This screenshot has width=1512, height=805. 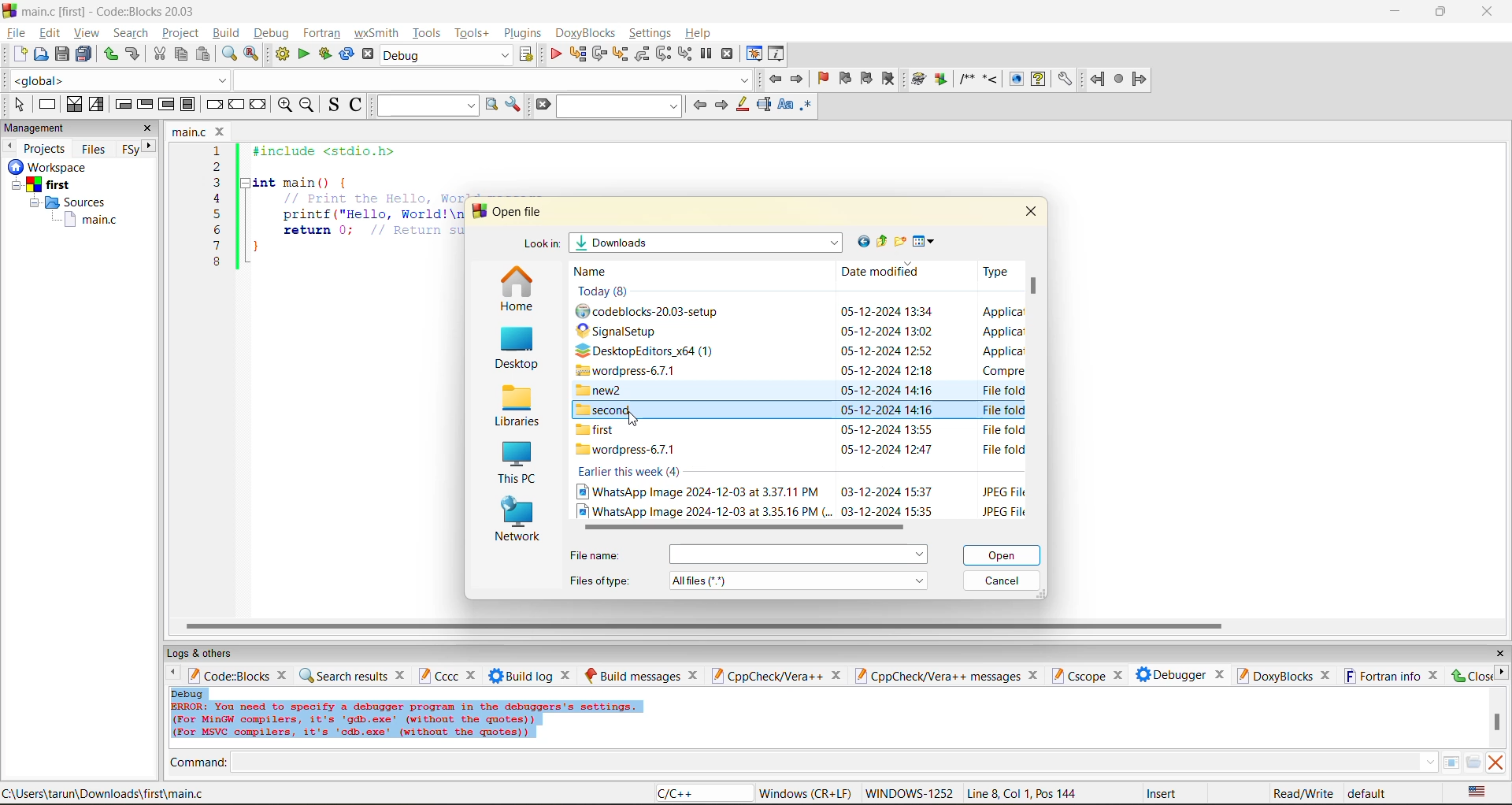 I want to click on zoom in, so click(x=286, y=106).